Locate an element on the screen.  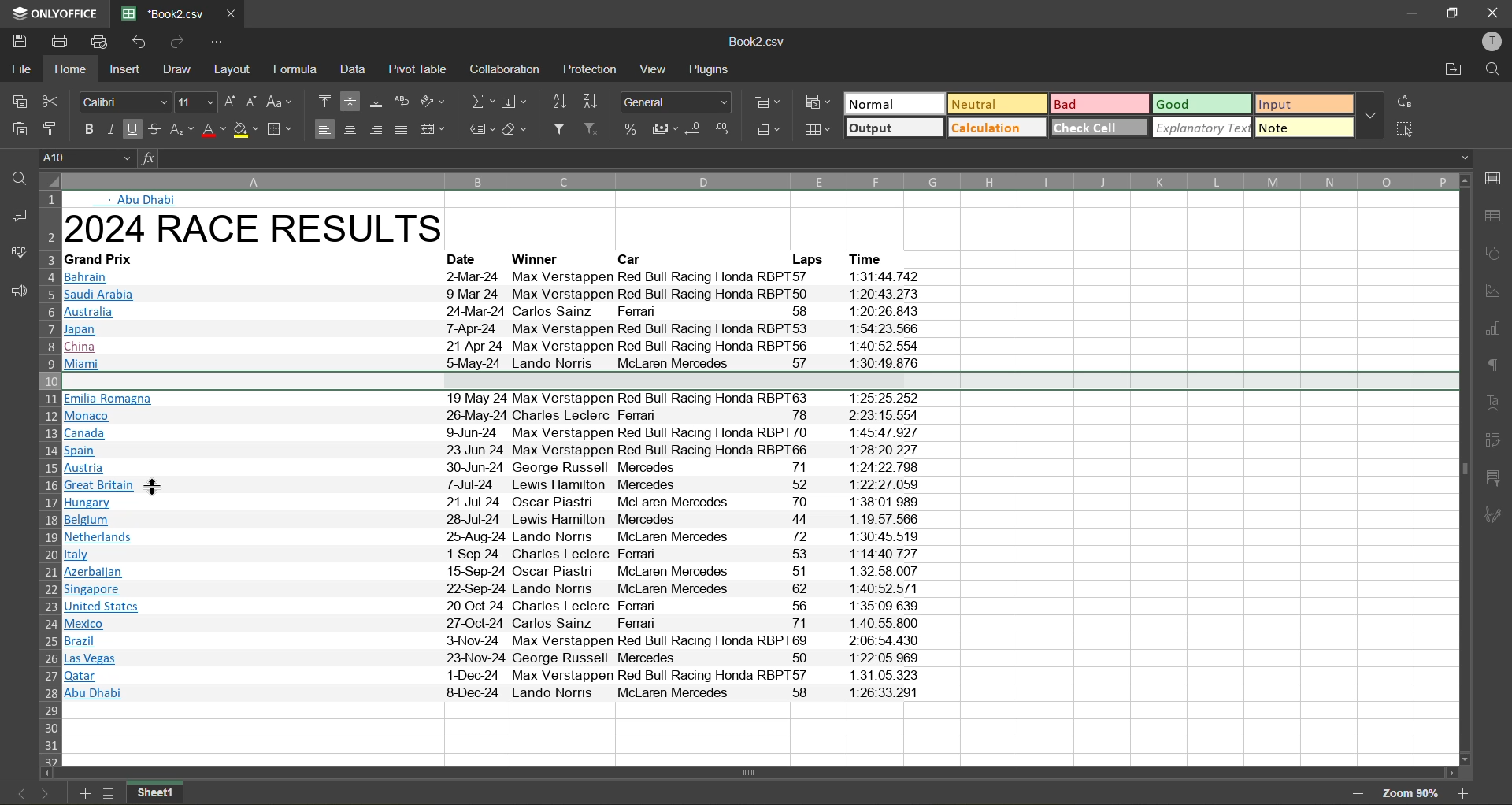
Qatar 1-Dec-24 Max Verstappen Red Bull Racing Honda RBPT57 1:31:05.323 is located at coordinates (491, 676).